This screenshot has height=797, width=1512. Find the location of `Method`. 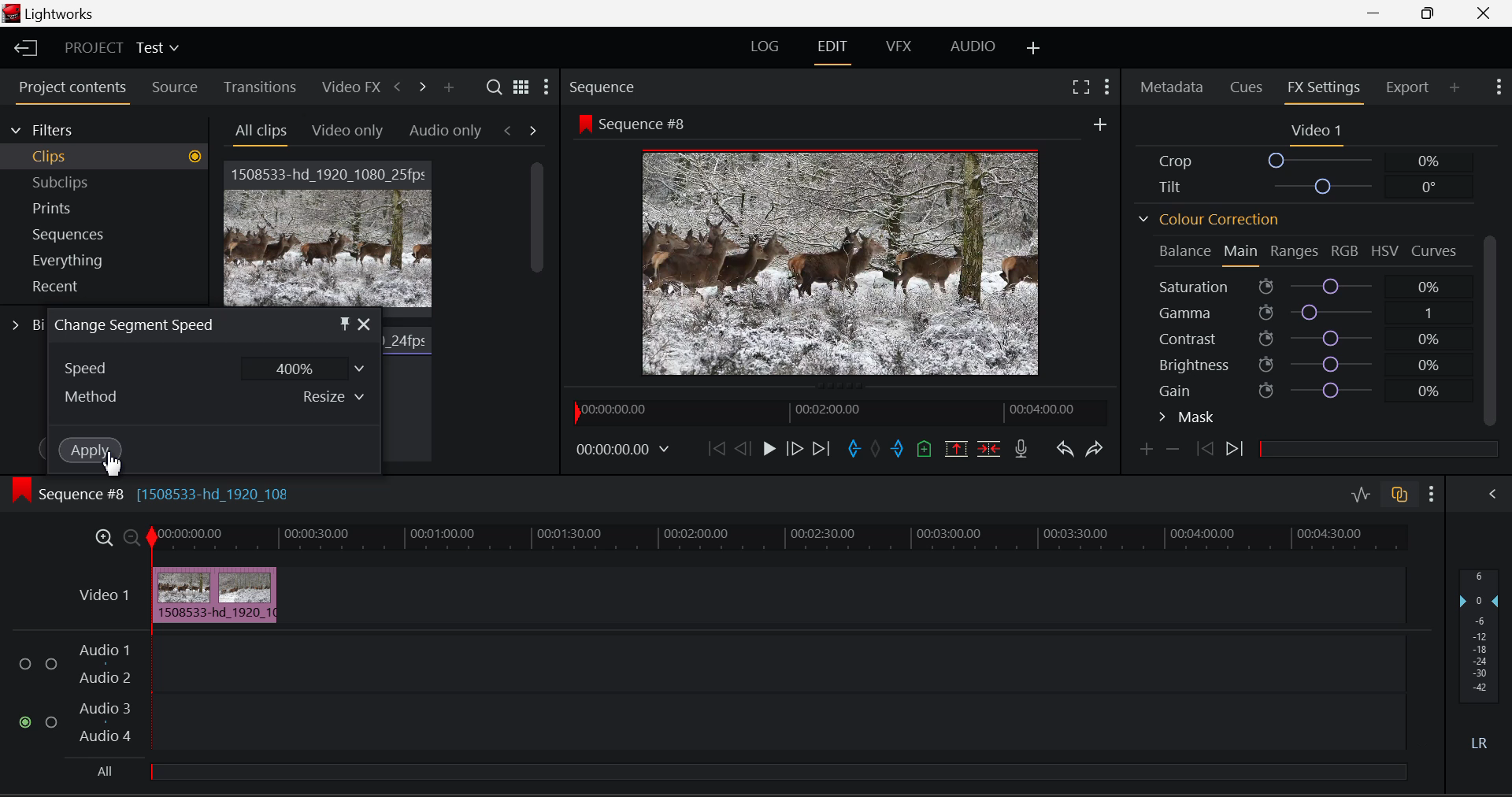

Method is located at coordinates (96, 396).